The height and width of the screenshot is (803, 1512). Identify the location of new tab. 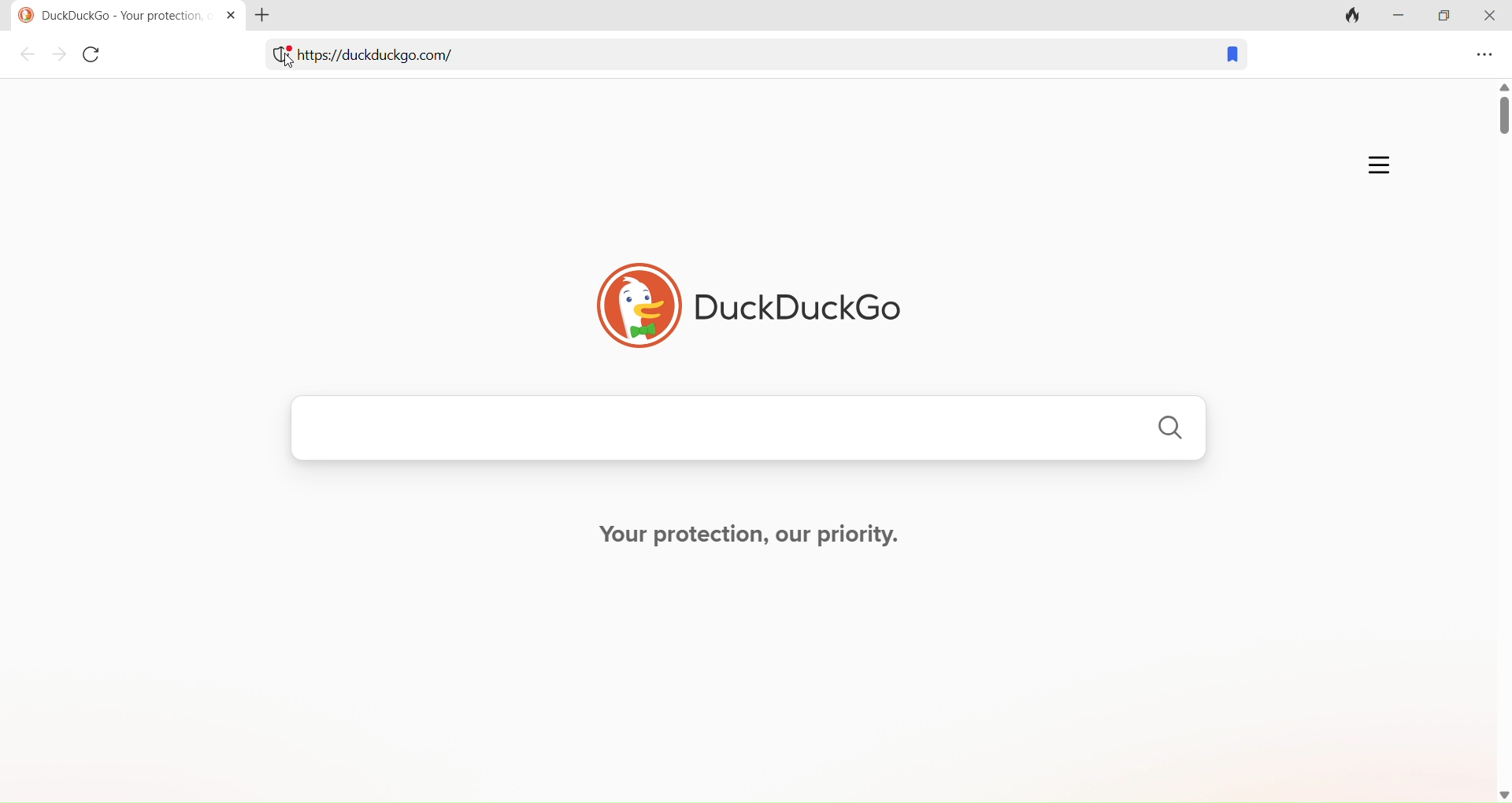
(271, 16).